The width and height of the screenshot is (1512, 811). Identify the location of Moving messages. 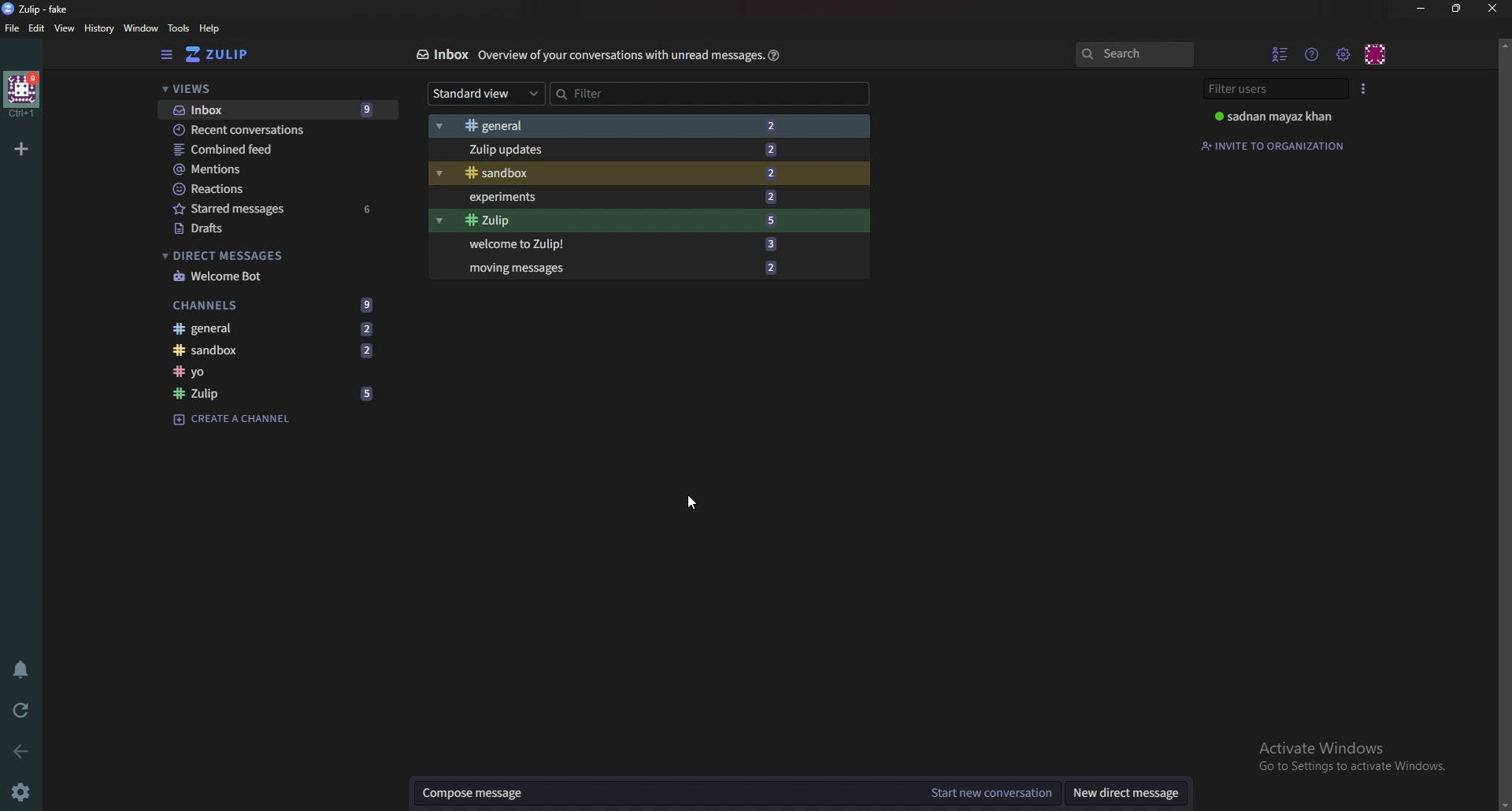
(636, 268).